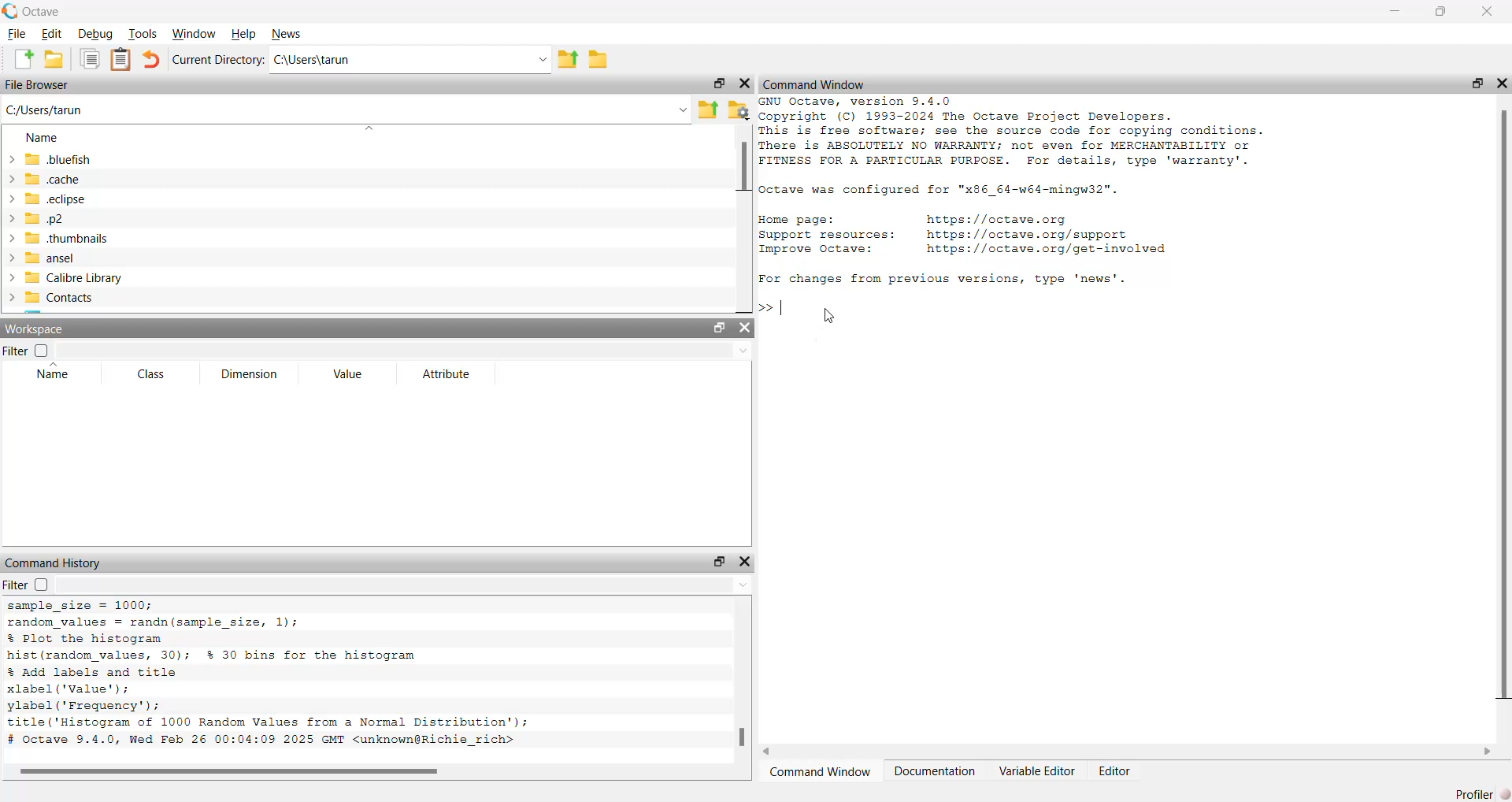  I want to click on dropdown, so click(742, 585).